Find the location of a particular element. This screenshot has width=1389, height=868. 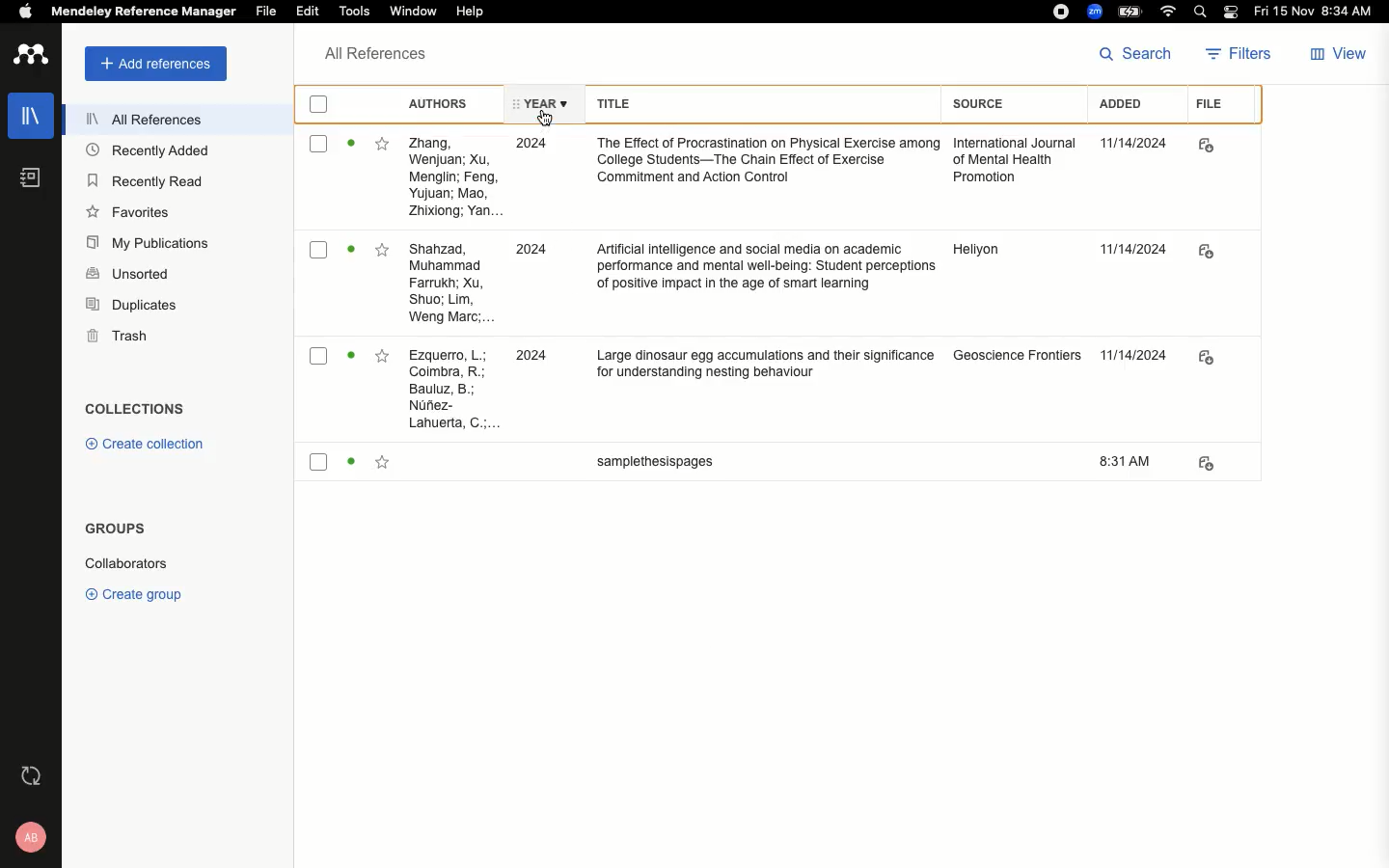

added  is located at coordinates (1132, 144).